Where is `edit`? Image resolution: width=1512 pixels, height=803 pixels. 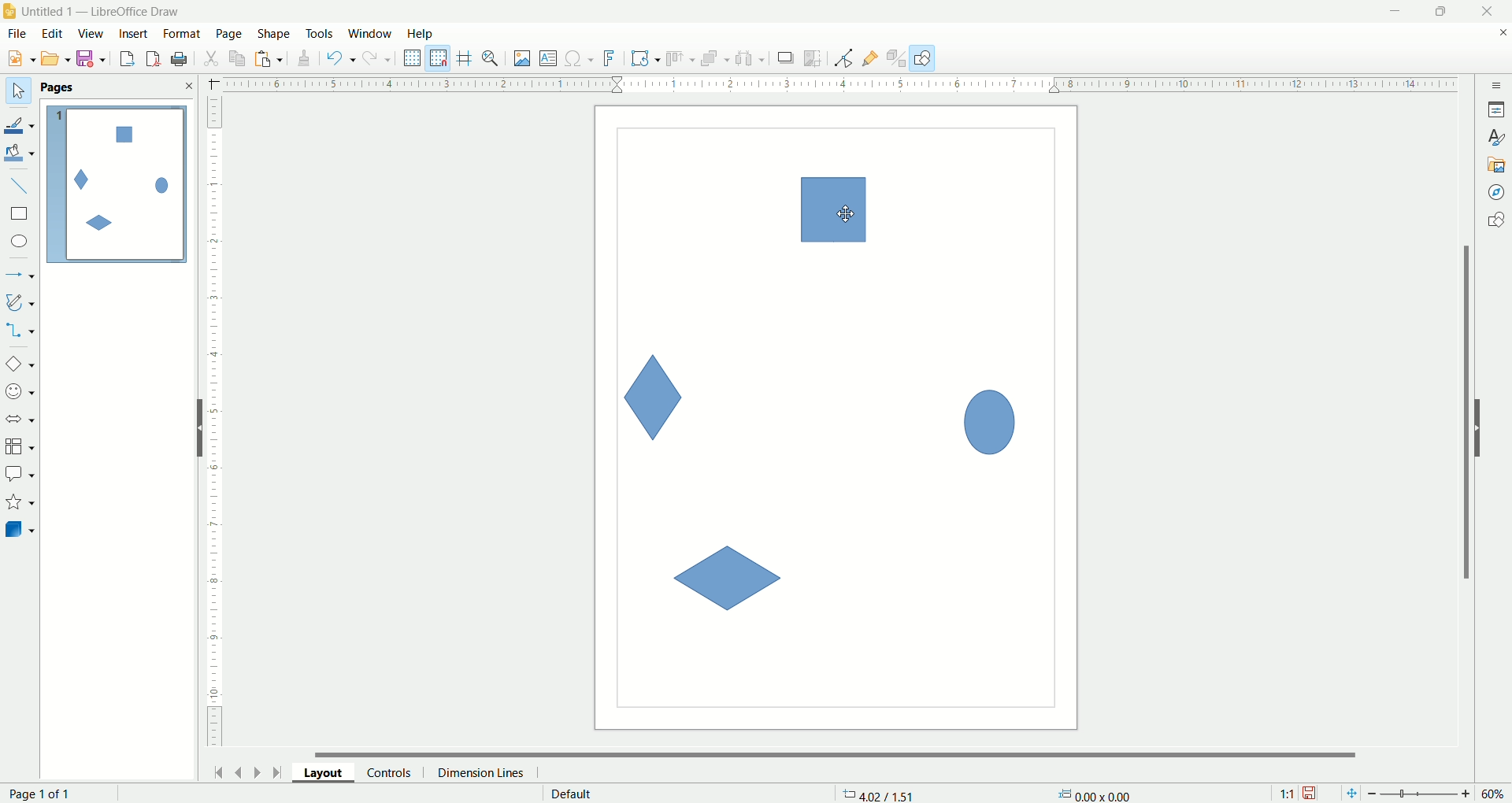 edit is located at coordinates (53, 35).